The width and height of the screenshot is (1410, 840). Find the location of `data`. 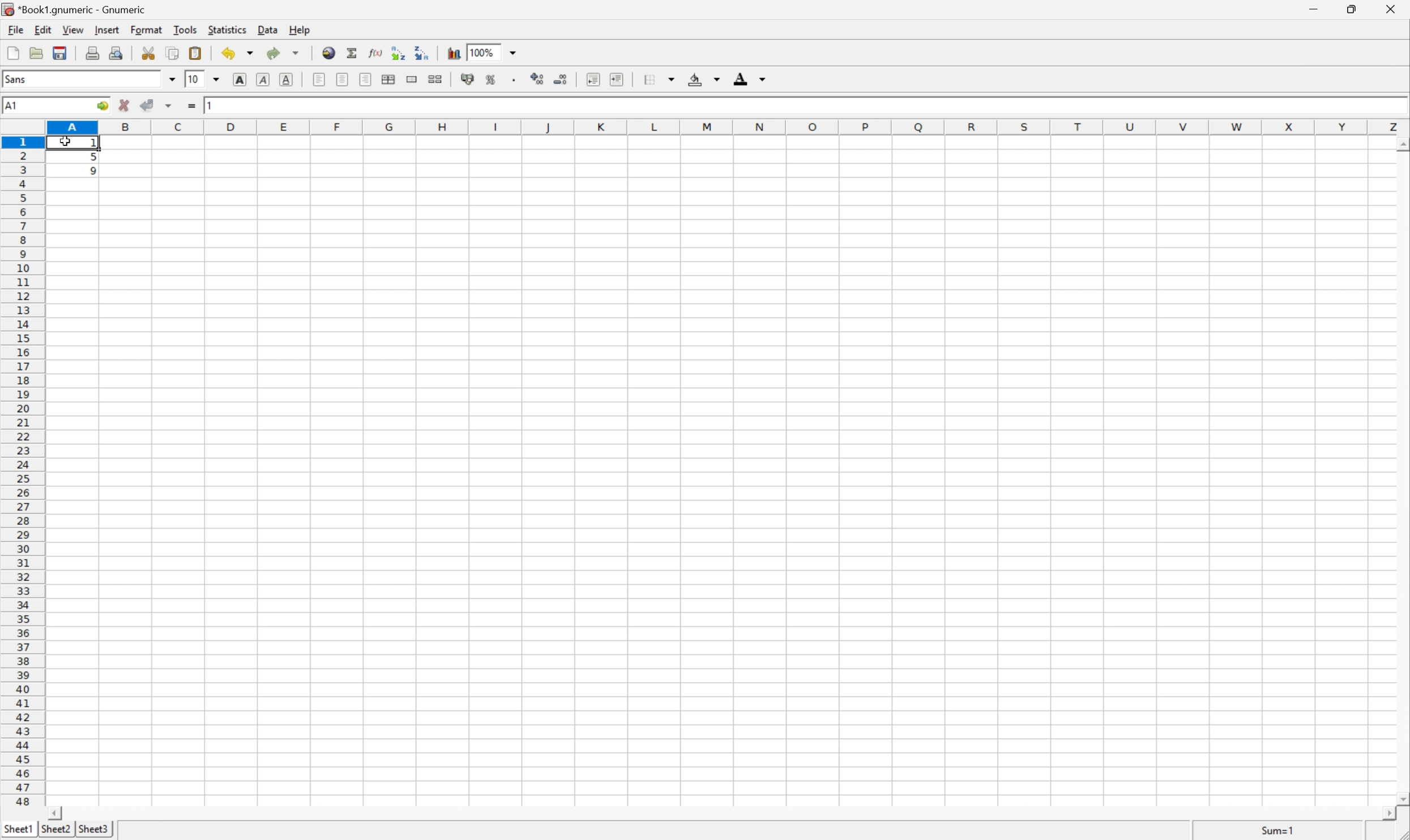

data is located at coordinates (269, 27).